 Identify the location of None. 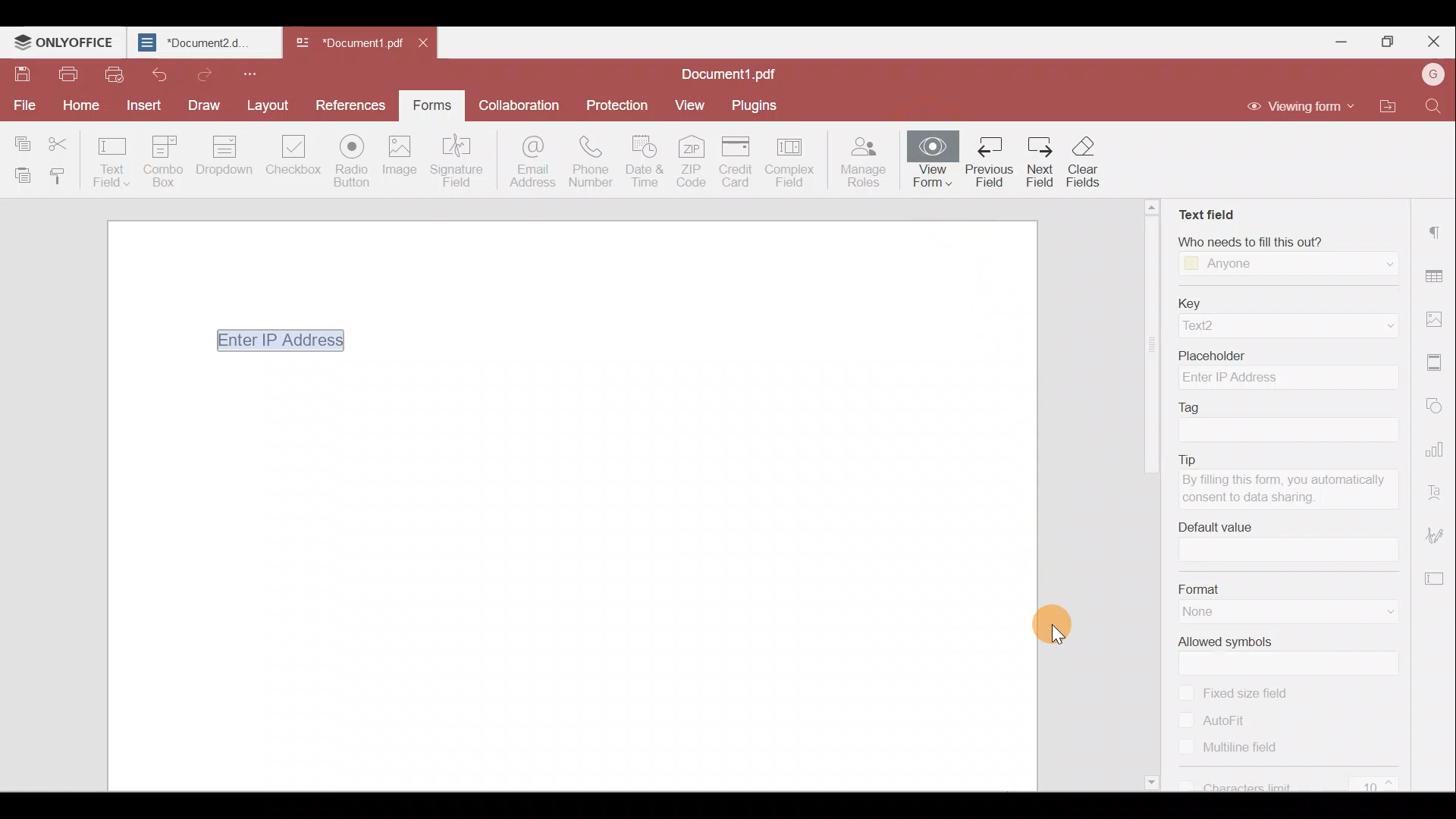
(1221, 613).